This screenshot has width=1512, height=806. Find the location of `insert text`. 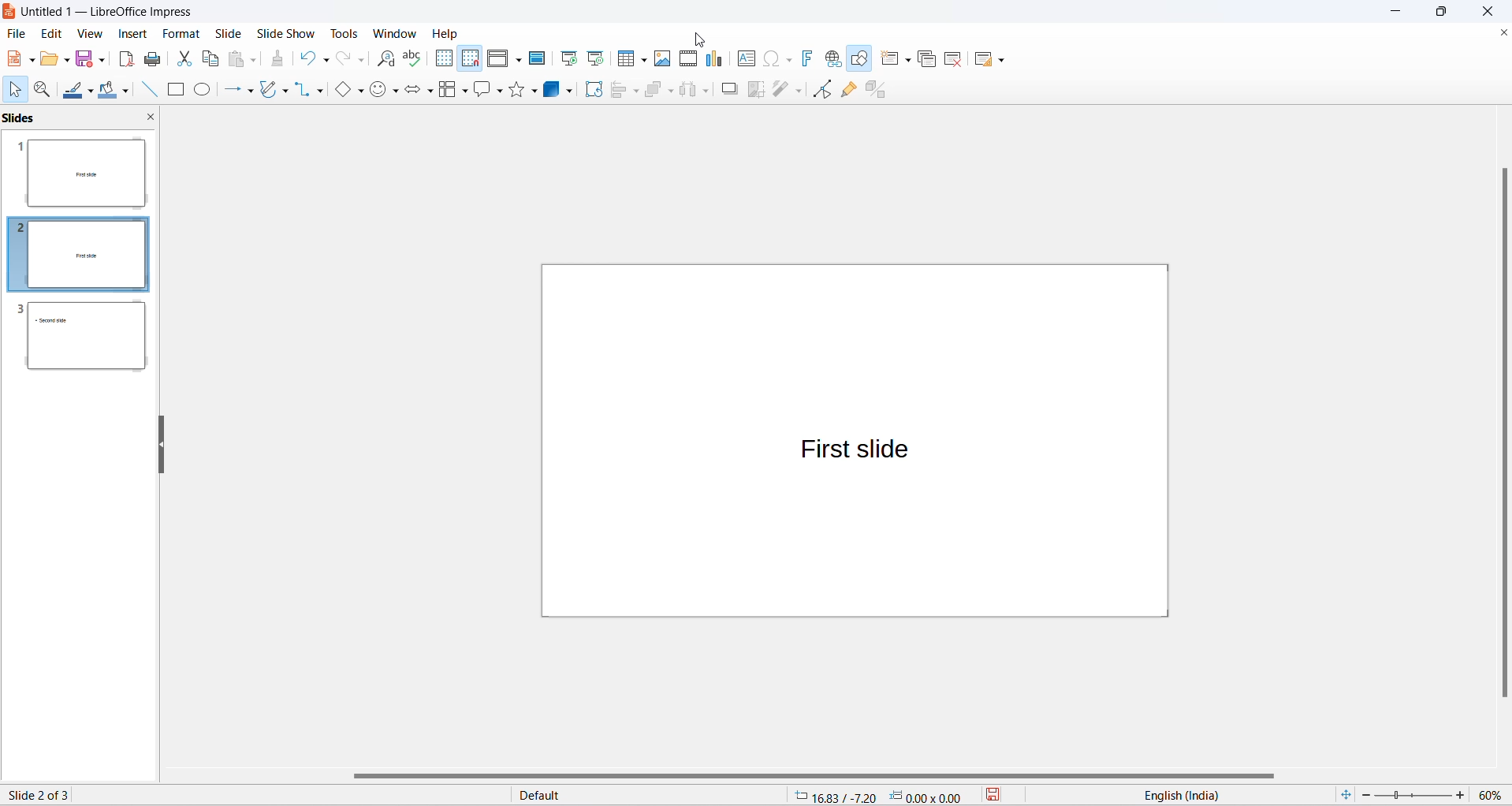

insert text is located at coordinates (748, 58).